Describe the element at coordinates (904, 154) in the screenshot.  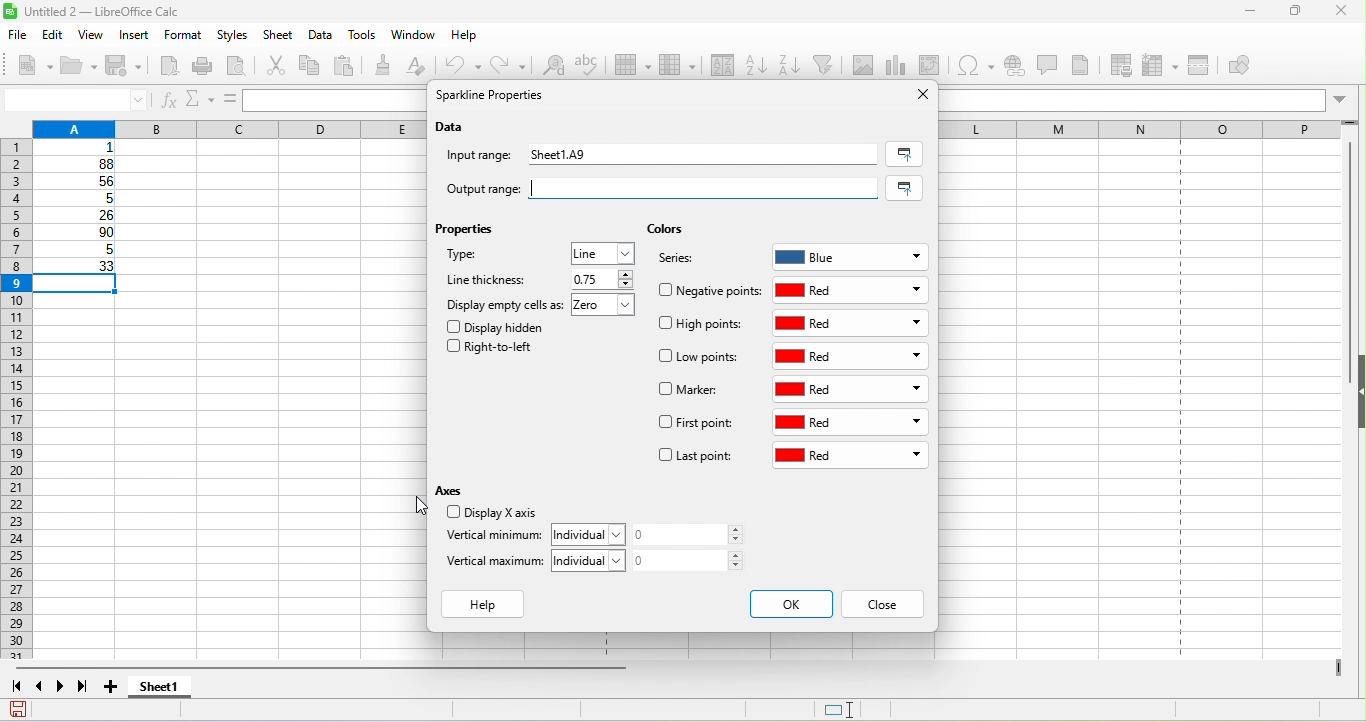
I see `selected range` at that location.